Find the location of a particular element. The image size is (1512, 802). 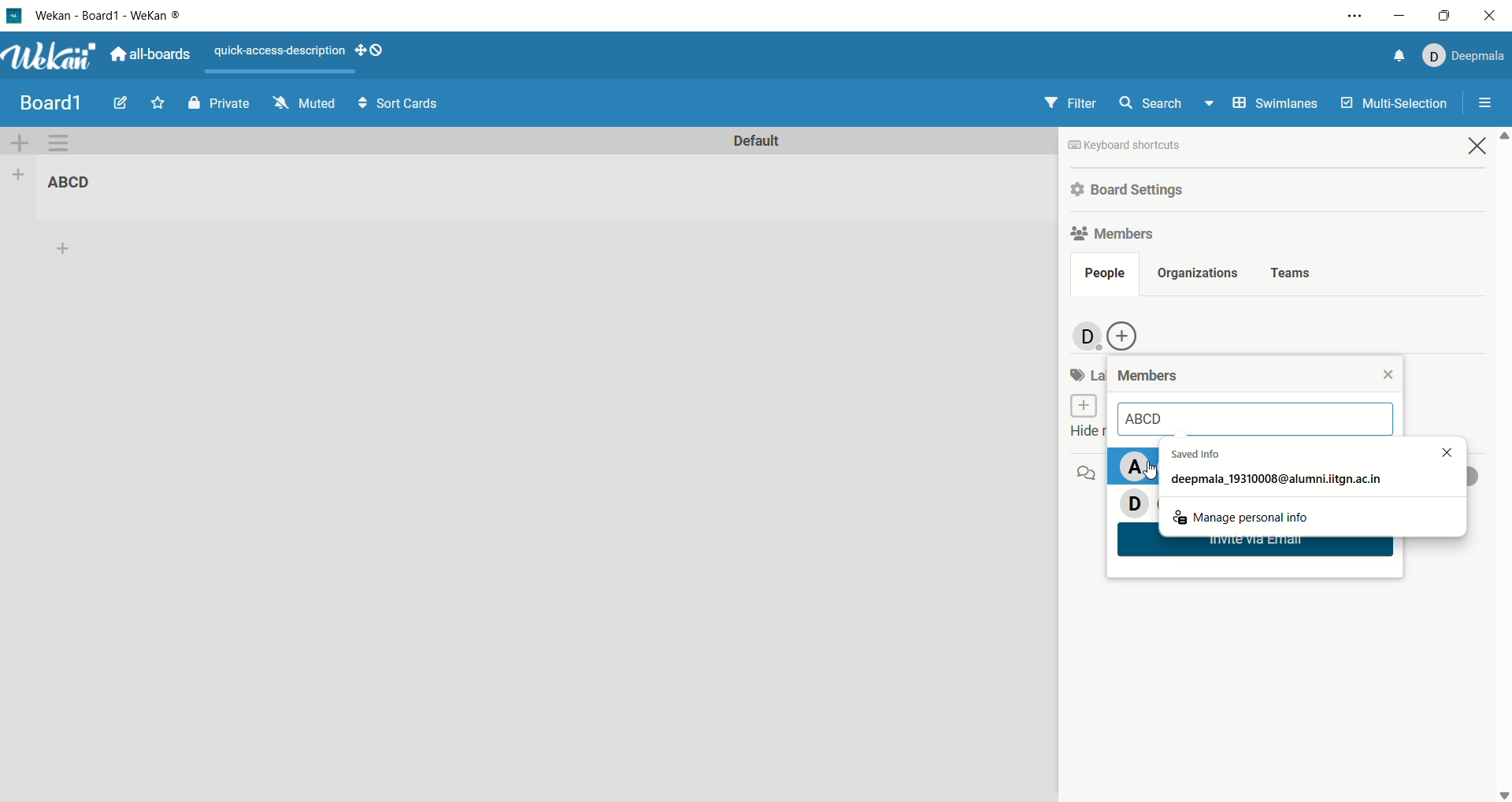

edit is located at coordinates (120, 102).